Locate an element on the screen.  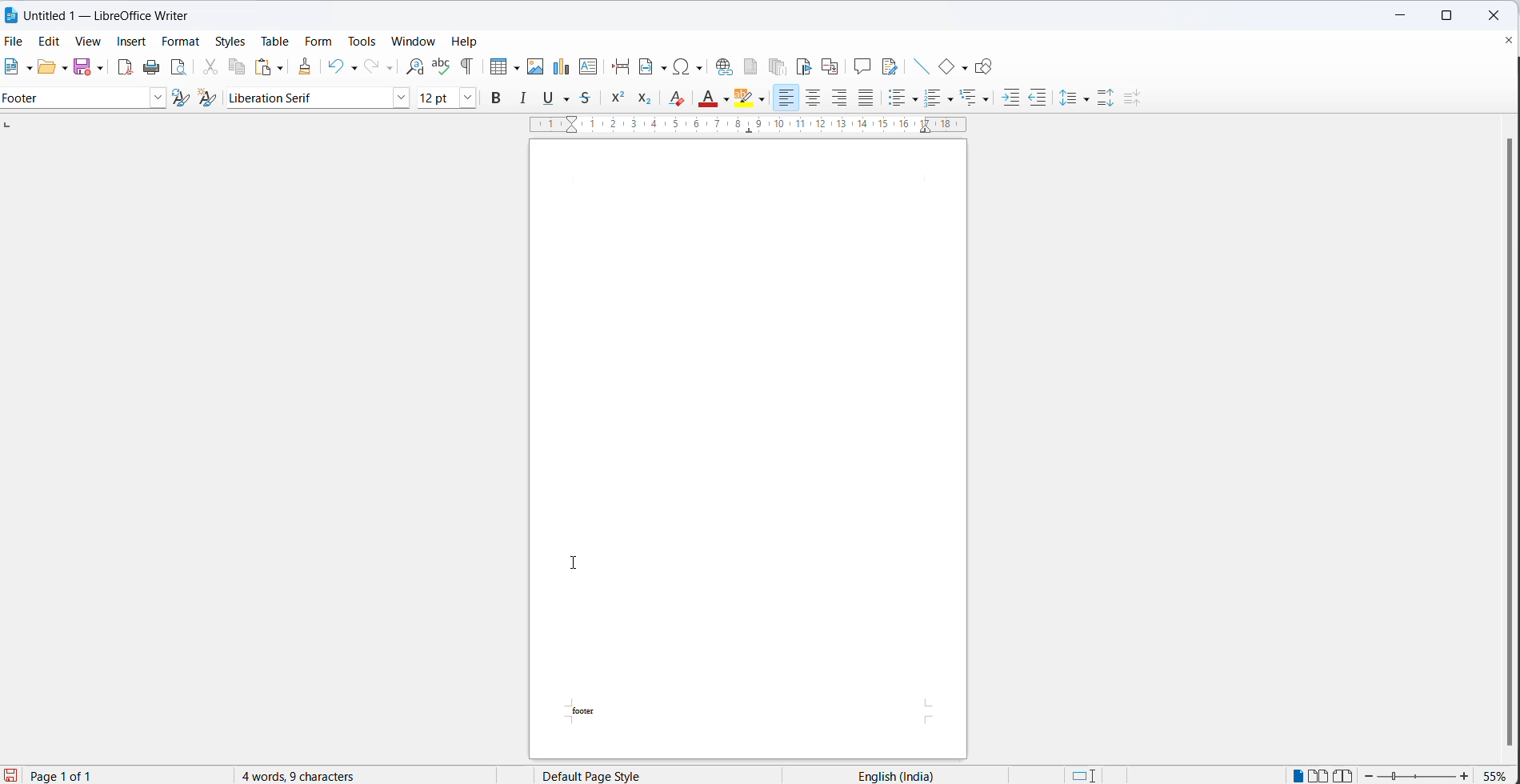
help  is located at coordinates (469, 42).